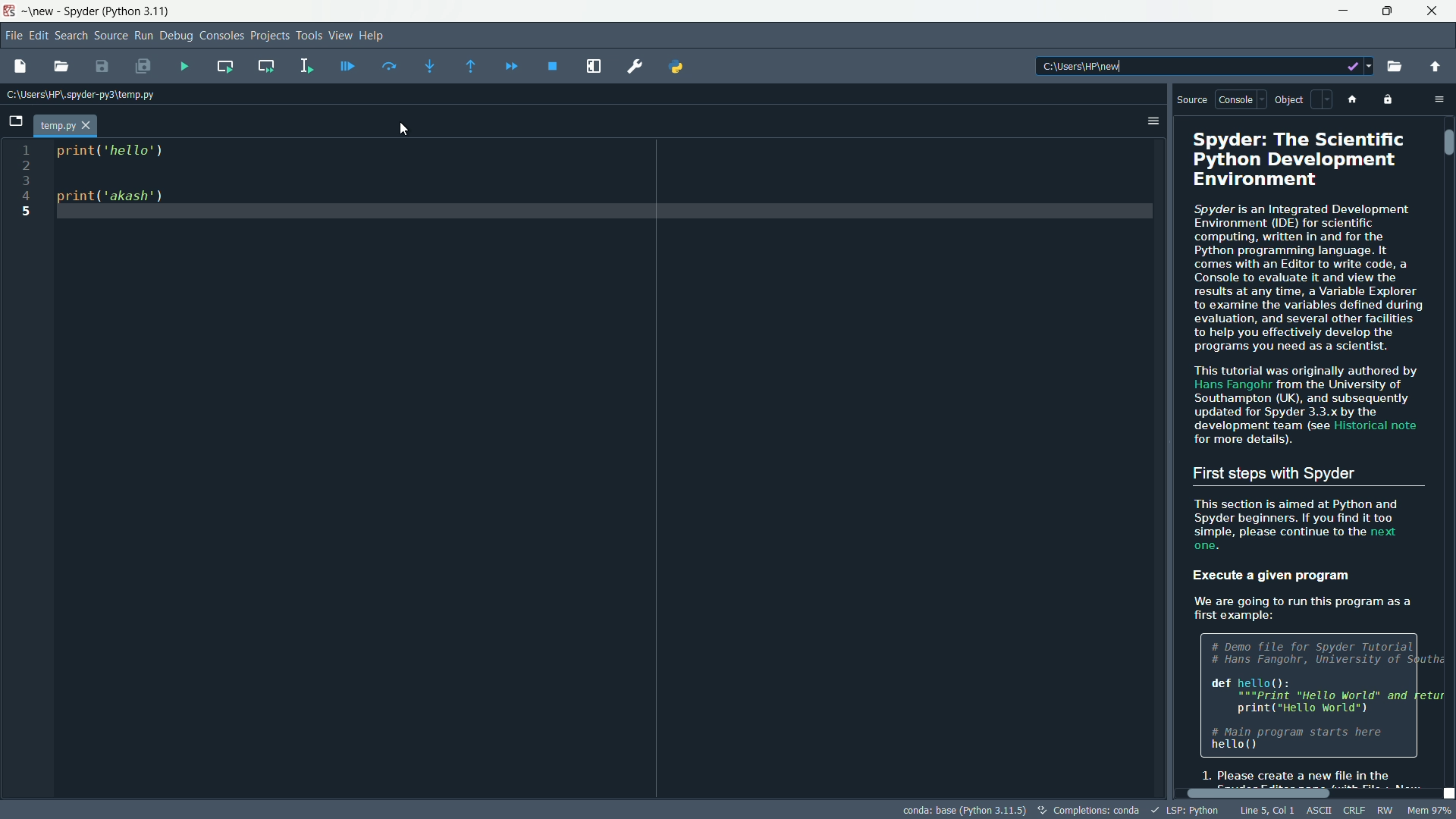 The height and width of the screenshot is (819, 1456). What do you see at coordinates (1347, 66) in the screenshot?
I see `Tick button` at bounding box center [1347, 66].